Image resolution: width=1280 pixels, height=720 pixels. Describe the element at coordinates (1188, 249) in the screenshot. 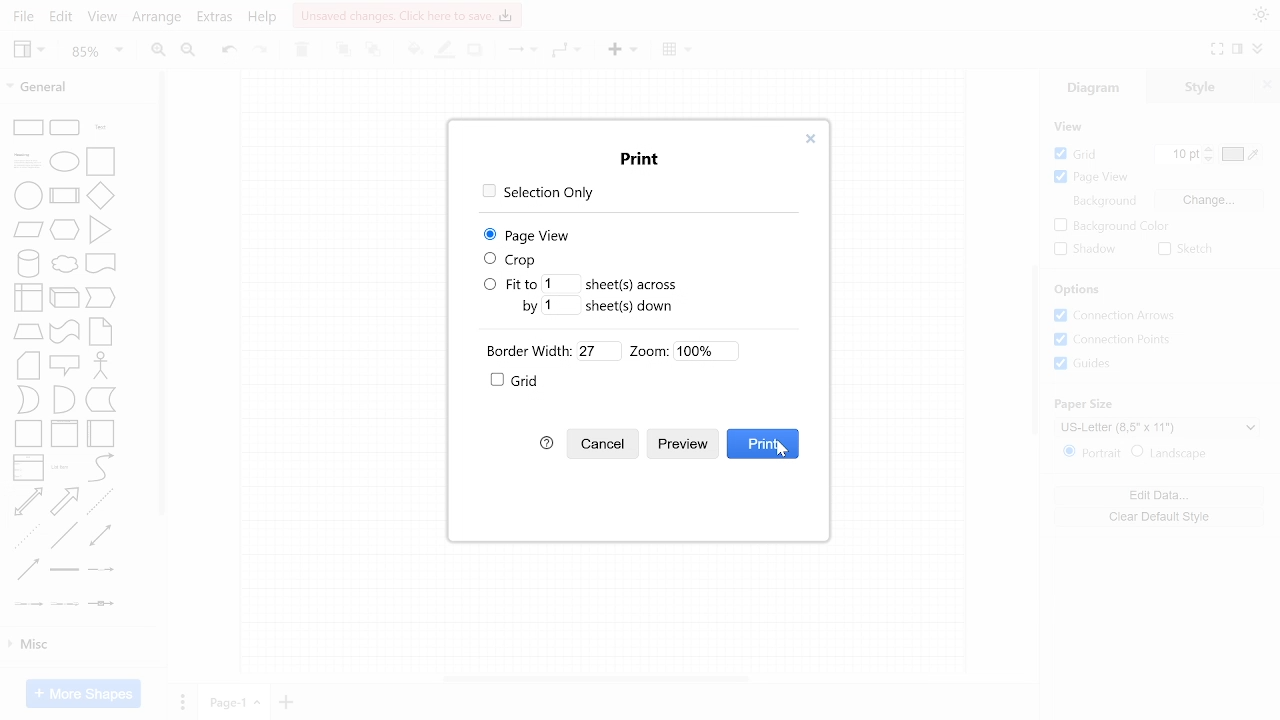

I see `Sketch` at that location.